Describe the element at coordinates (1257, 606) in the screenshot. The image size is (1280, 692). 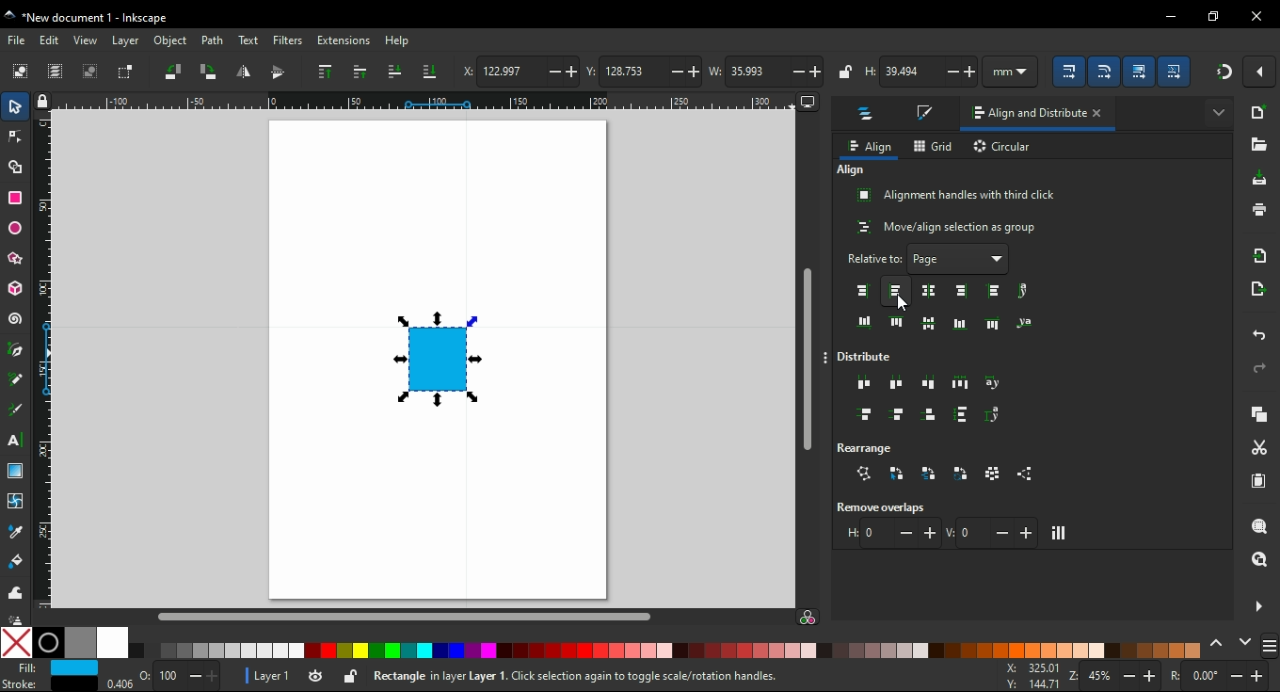
I see `more settings` at that location.